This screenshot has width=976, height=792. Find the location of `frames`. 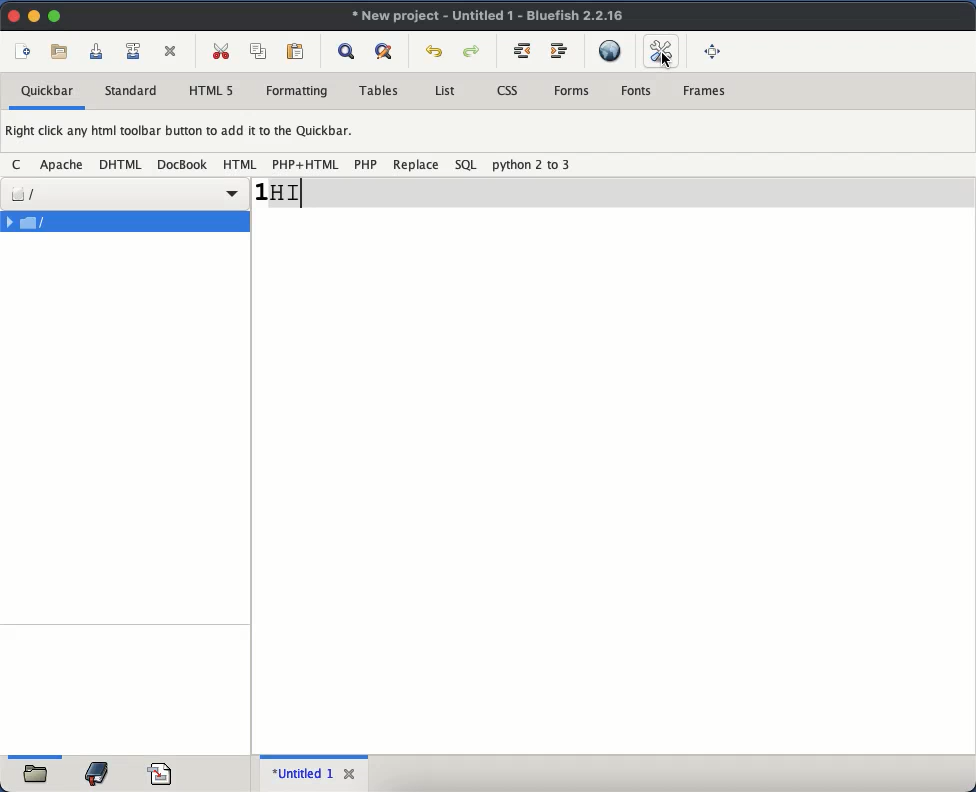

frames is located at coordinates (705, 90).